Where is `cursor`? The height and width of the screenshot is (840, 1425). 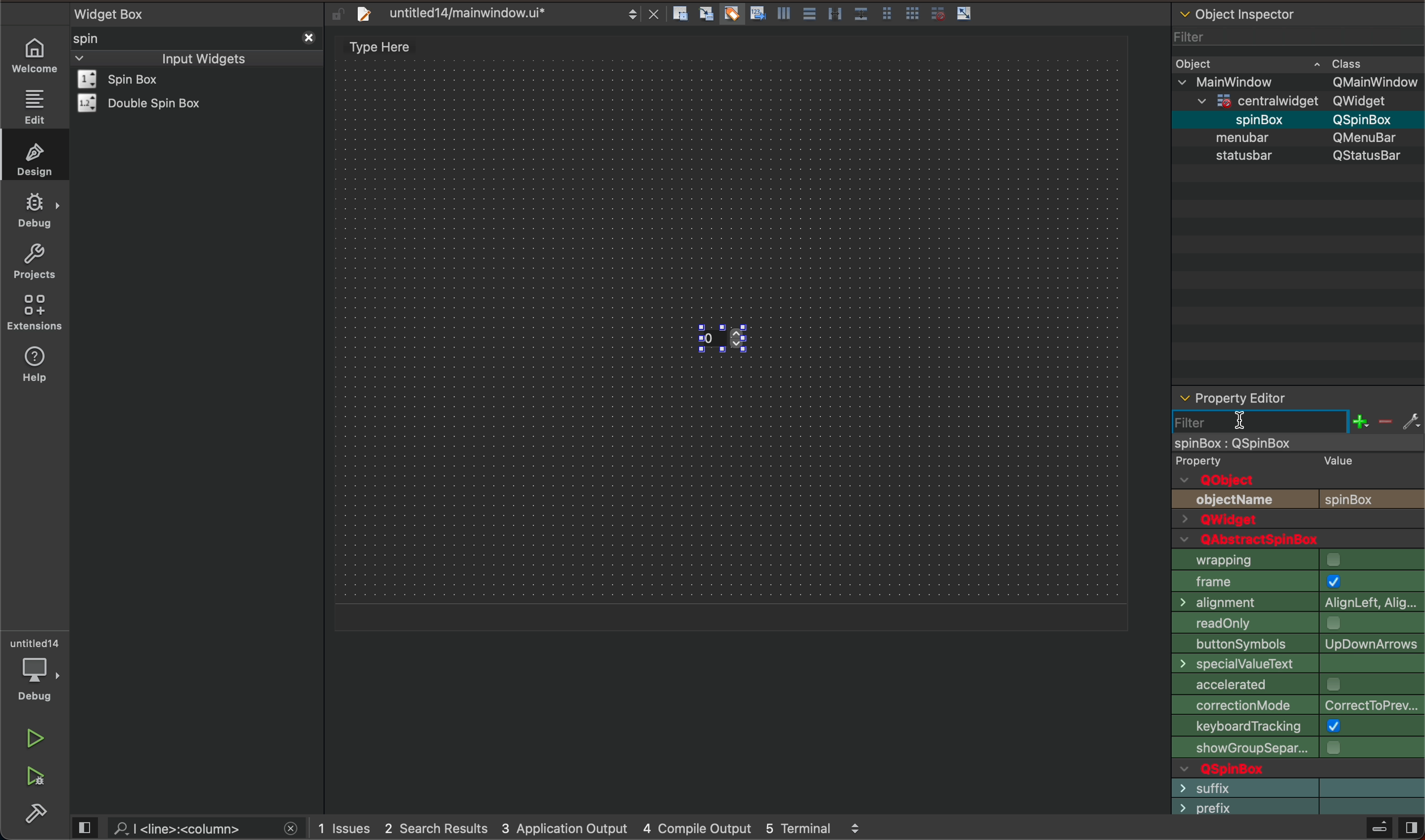 cursor is located at coordinates (1240, 419).